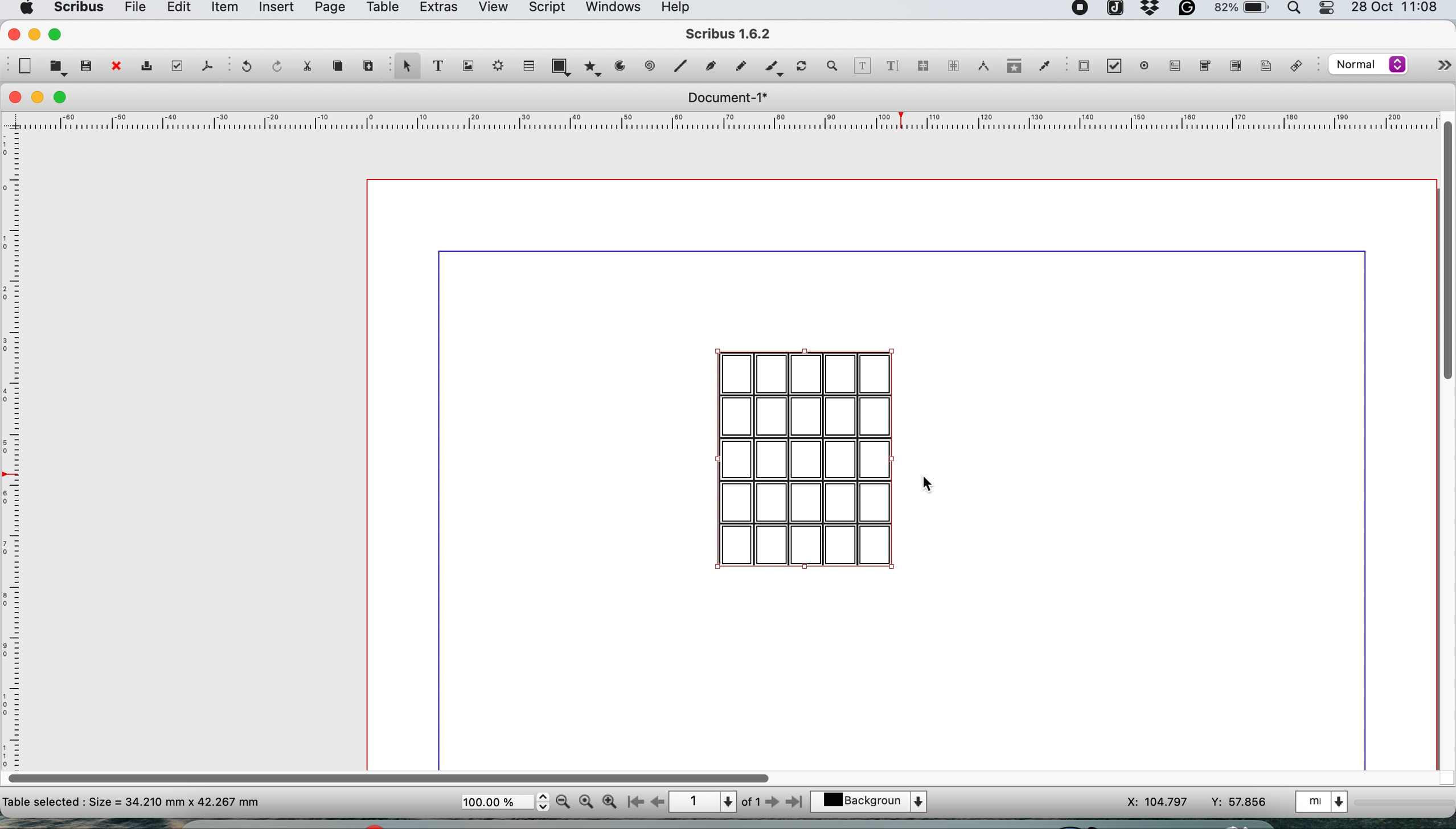 Image resolution: width=1456 pixels, height=829 pixels. I want to click on paste, so click(367, 64).